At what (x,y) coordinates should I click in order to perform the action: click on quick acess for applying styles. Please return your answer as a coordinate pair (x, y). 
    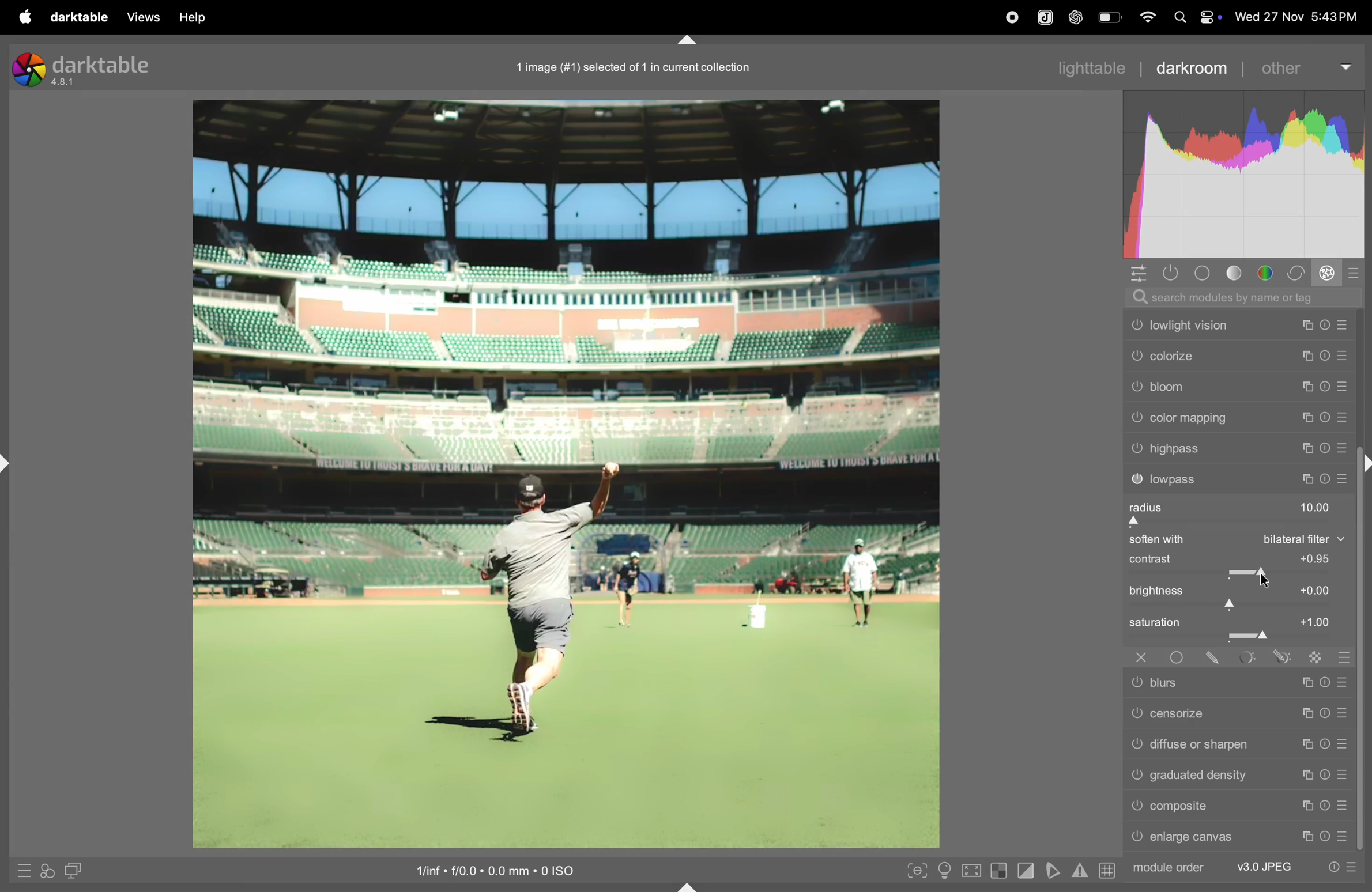
    Looking at the image, I should click on (47, 870).